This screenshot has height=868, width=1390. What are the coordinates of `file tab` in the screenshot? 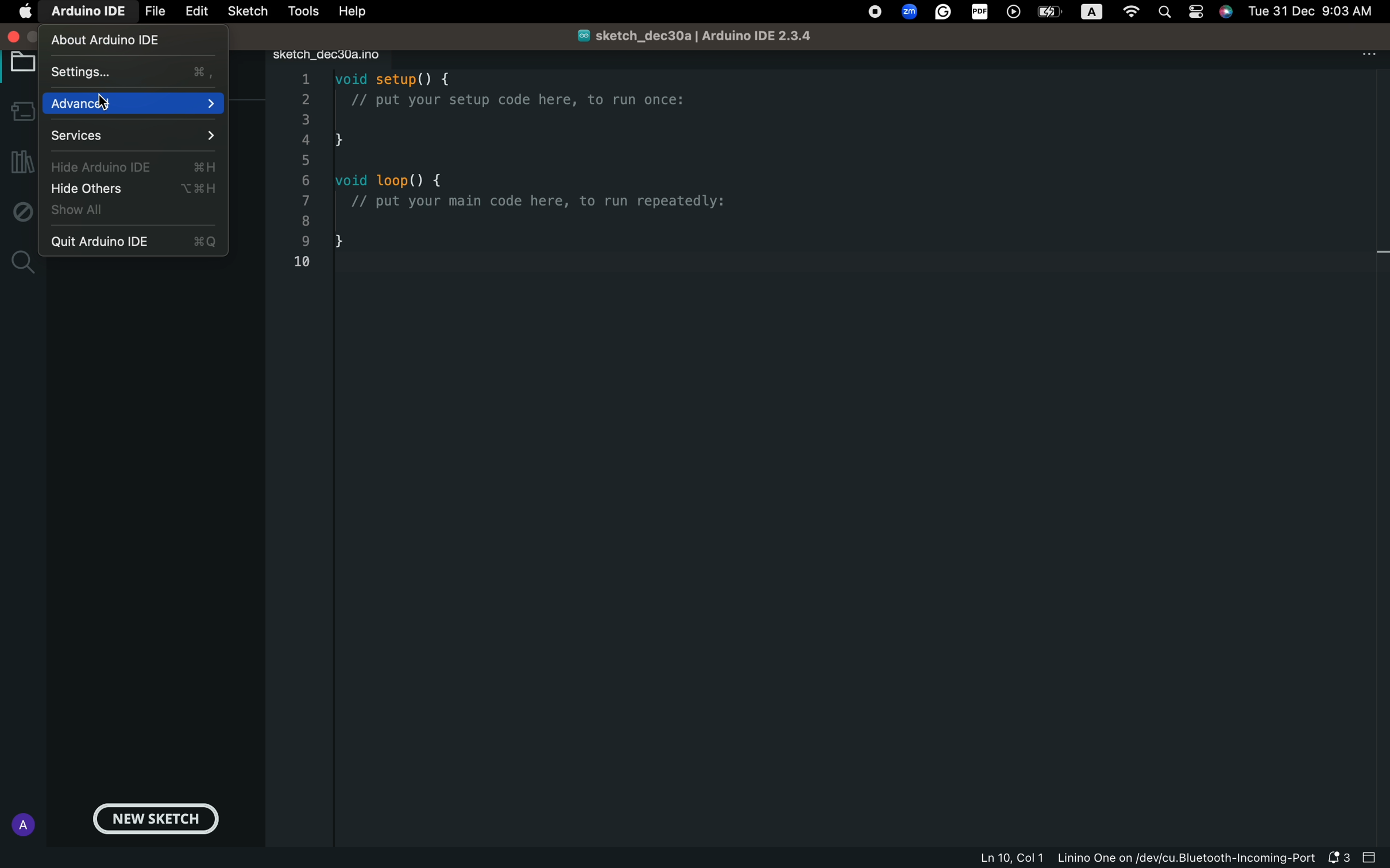 It's located at (346, 55).